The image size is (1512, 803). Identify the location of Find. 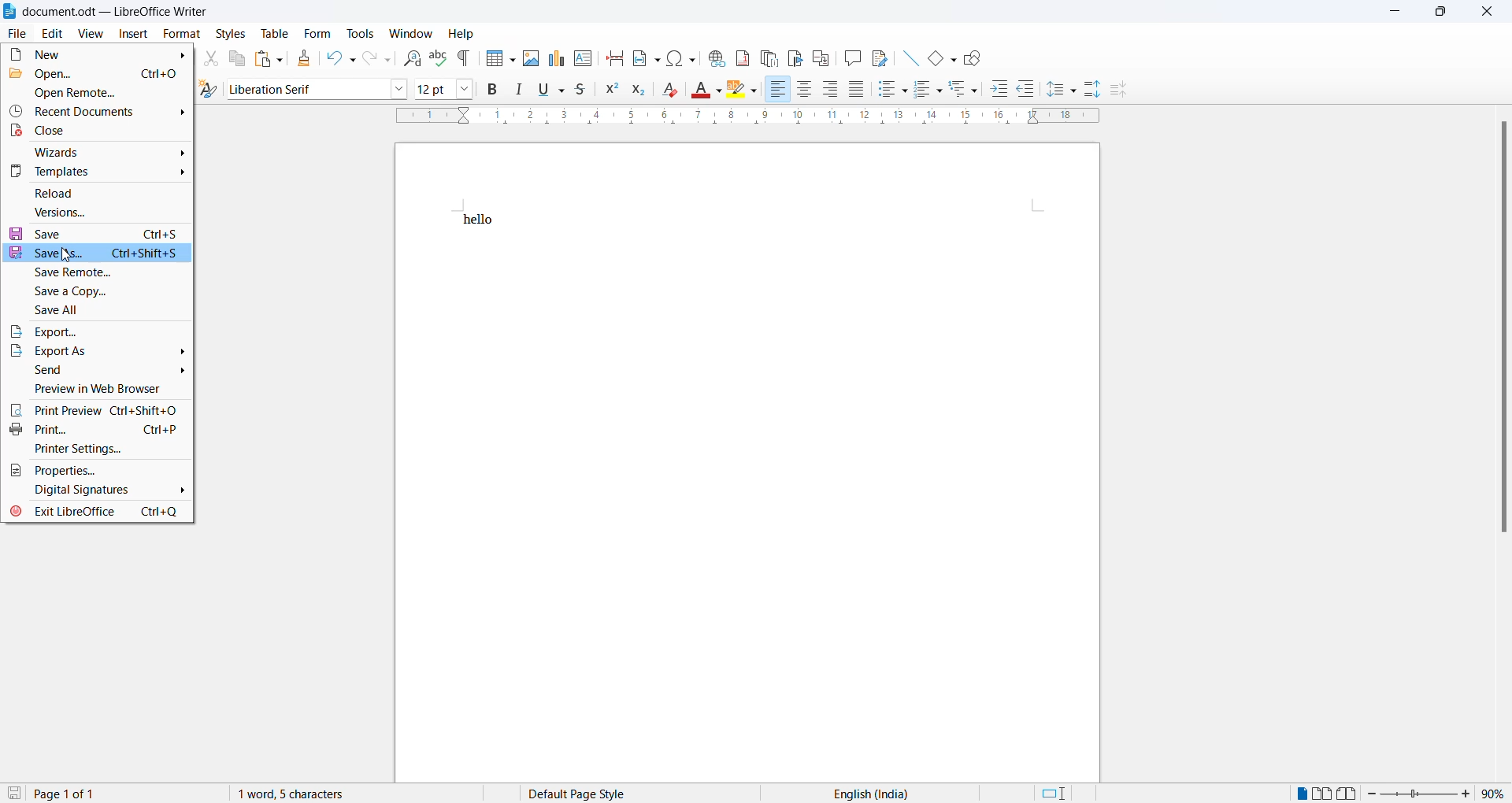
(408, 60).